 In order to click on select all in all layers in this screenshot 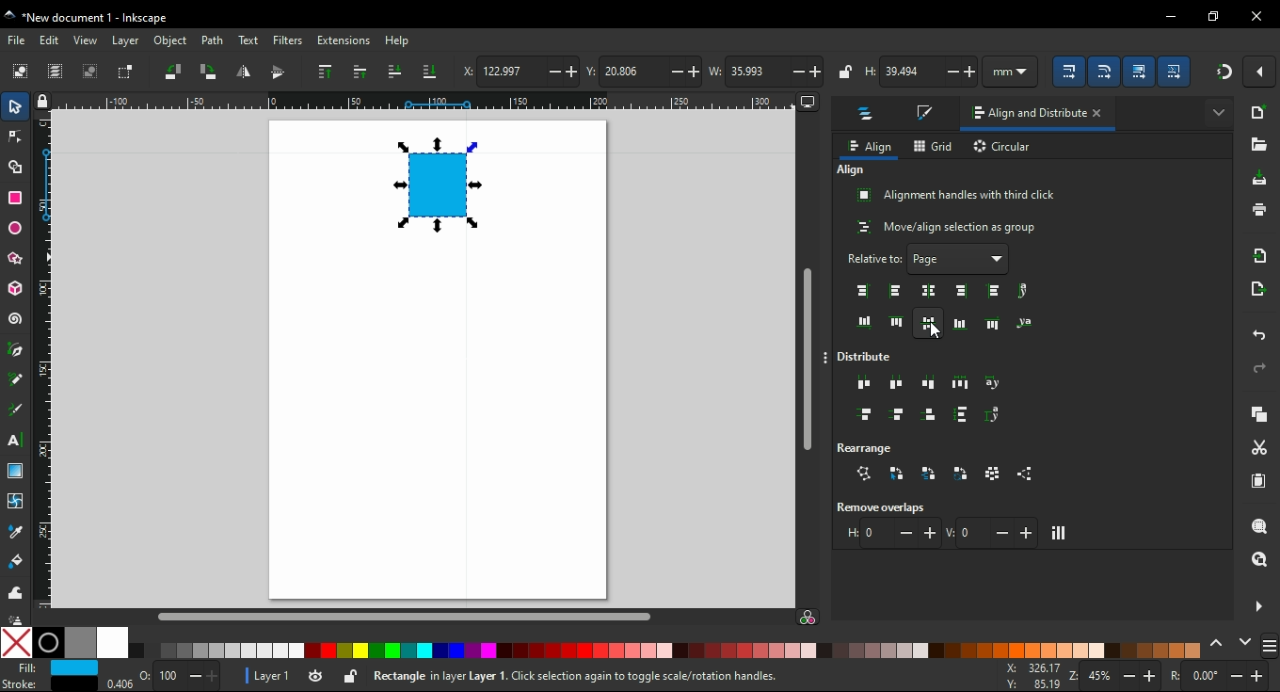, I will do `click(56, 71)`.